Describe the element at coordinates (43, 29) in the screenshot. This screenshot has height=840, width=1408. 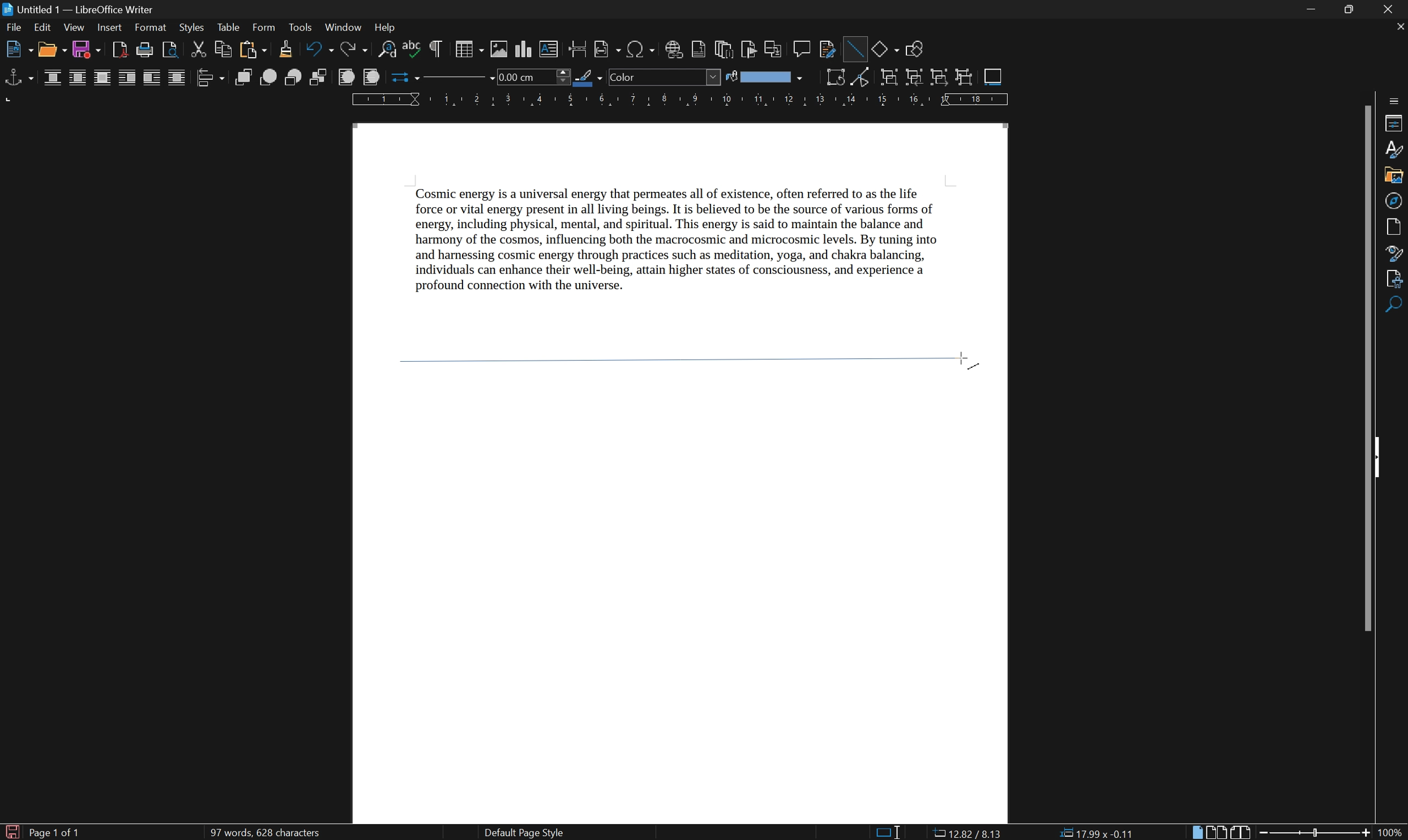
I see `edit` at that location.